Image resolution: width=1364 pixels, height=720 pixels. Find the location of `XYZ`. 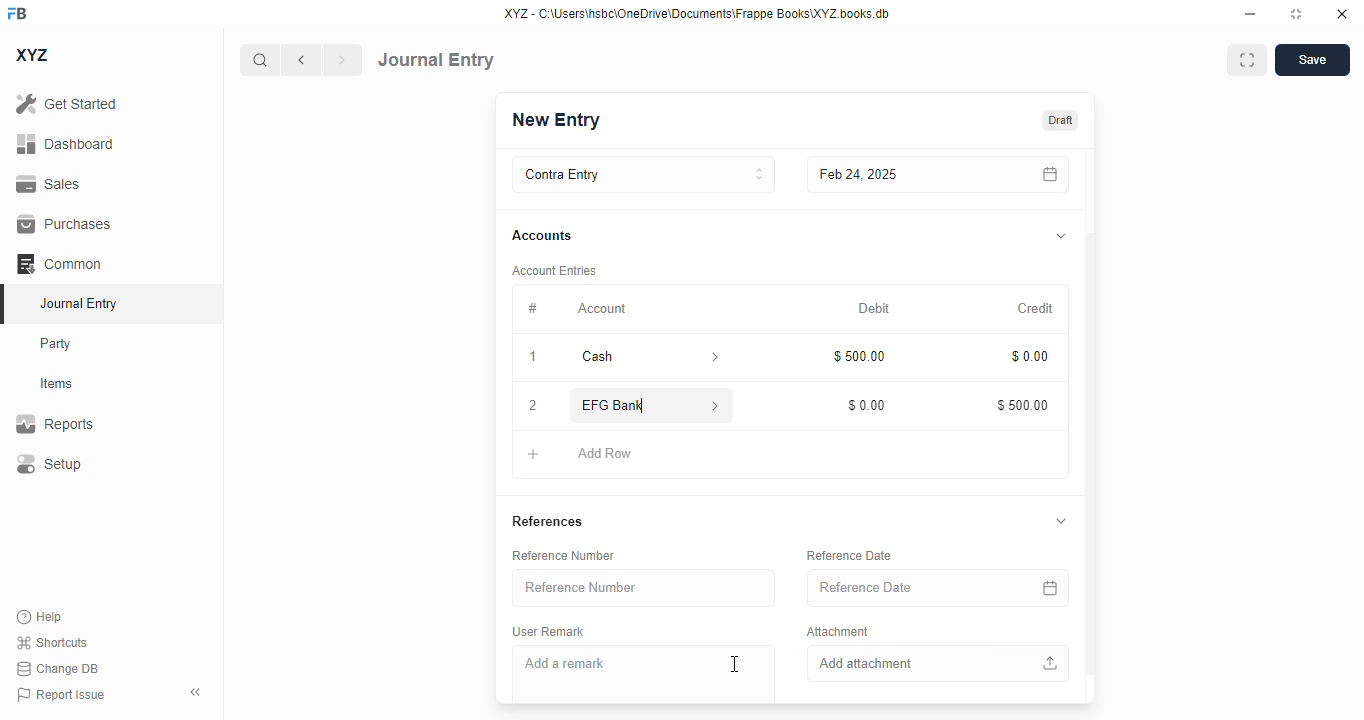

XYZ is located at coordinates (31, 55).